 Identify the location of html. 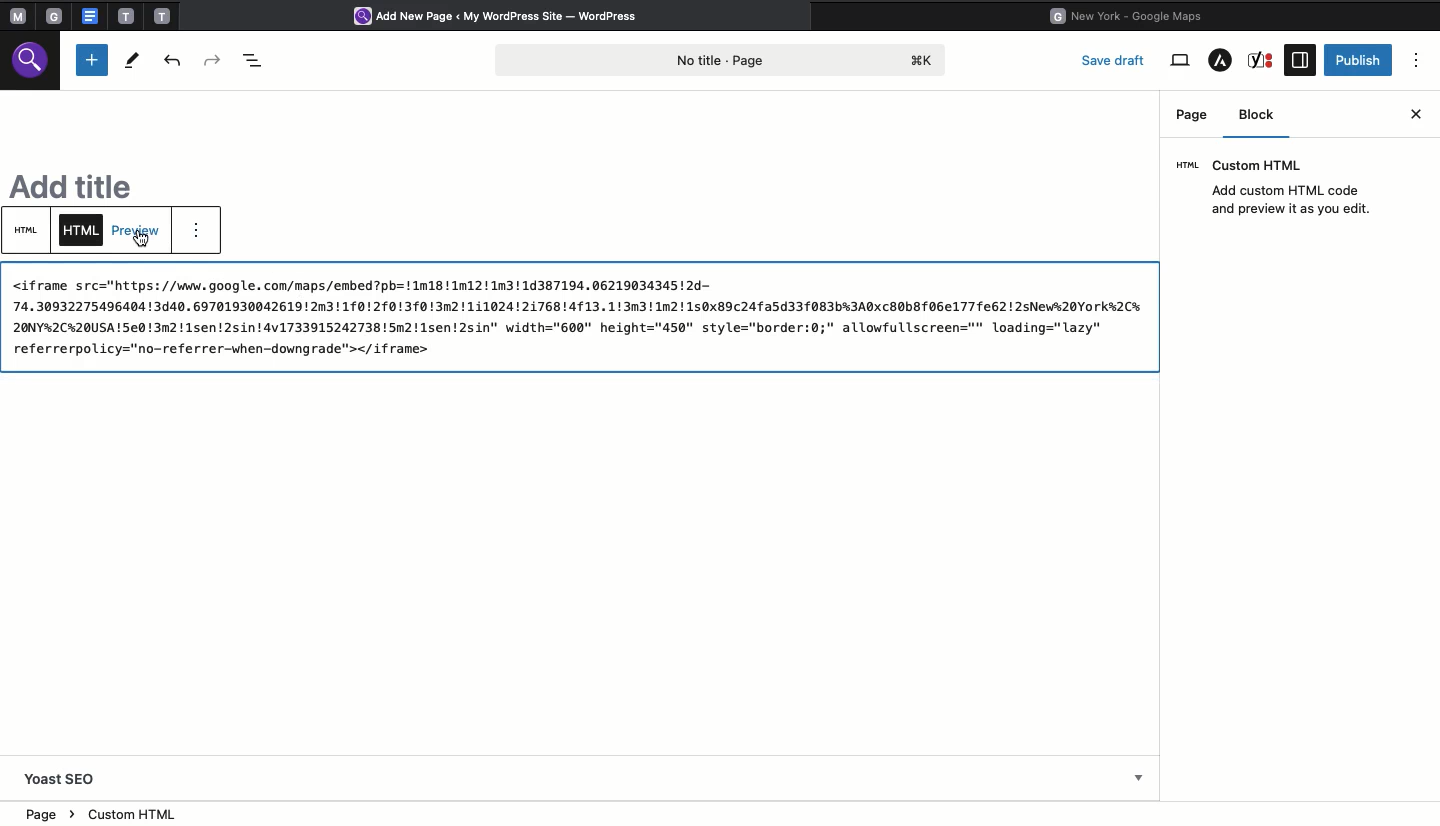
(577, 315).